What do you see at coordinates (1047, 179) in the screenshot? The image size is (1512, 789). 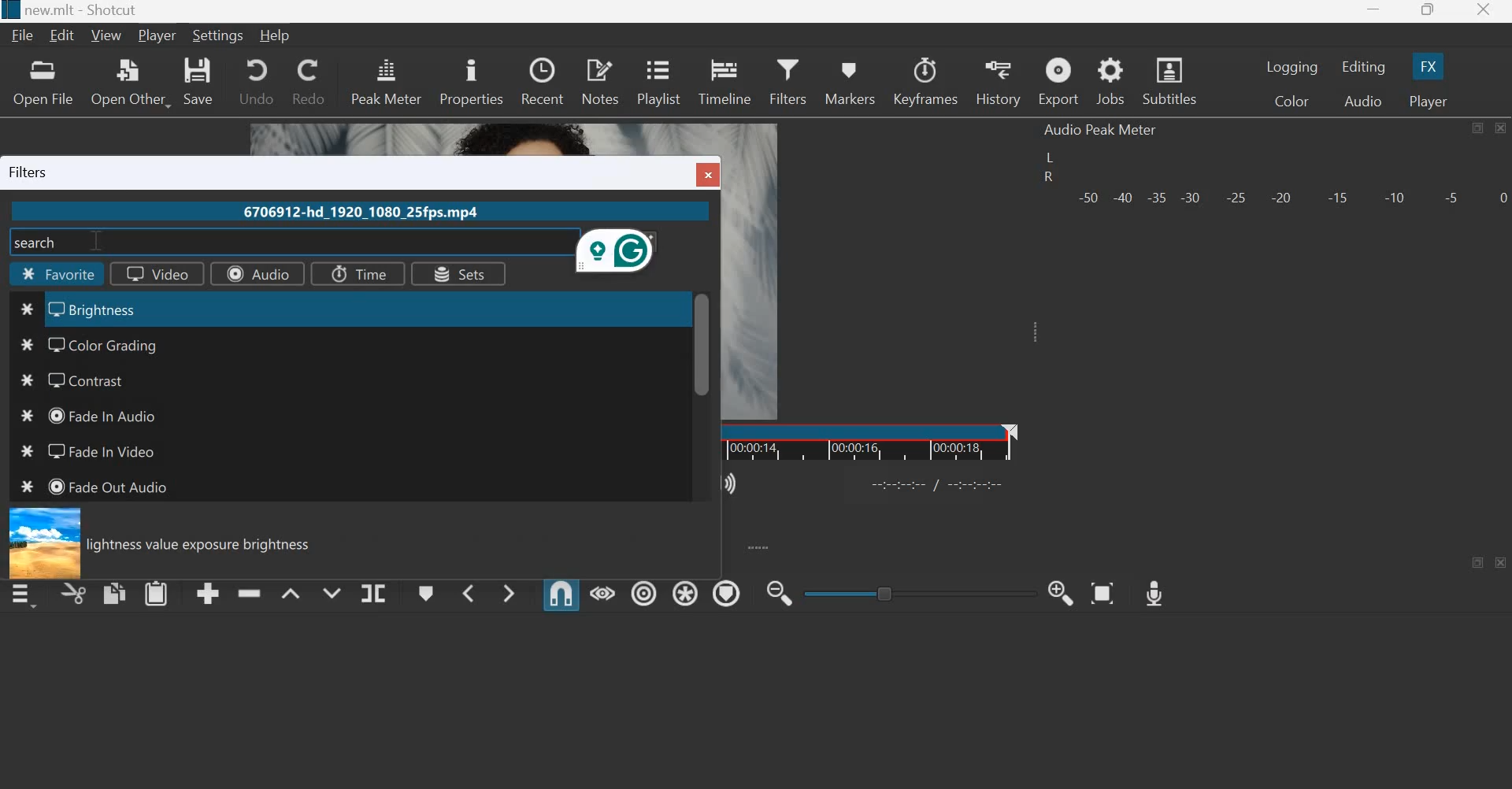 I see `R` at bounding box center [1047, 179].